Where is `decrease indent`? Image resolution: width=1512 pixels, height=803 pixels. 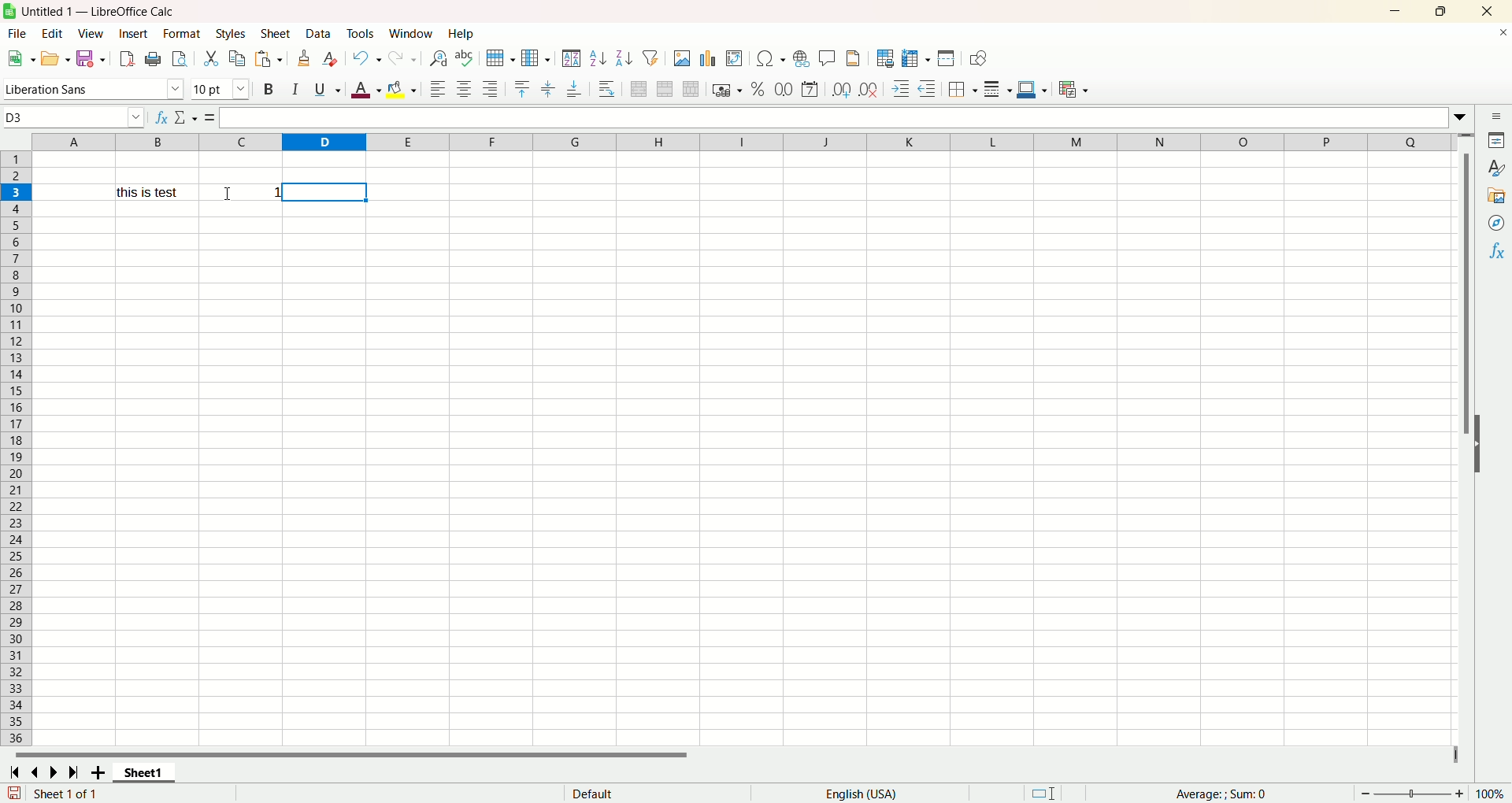
decrease indent is located at coordinates (928, 87).